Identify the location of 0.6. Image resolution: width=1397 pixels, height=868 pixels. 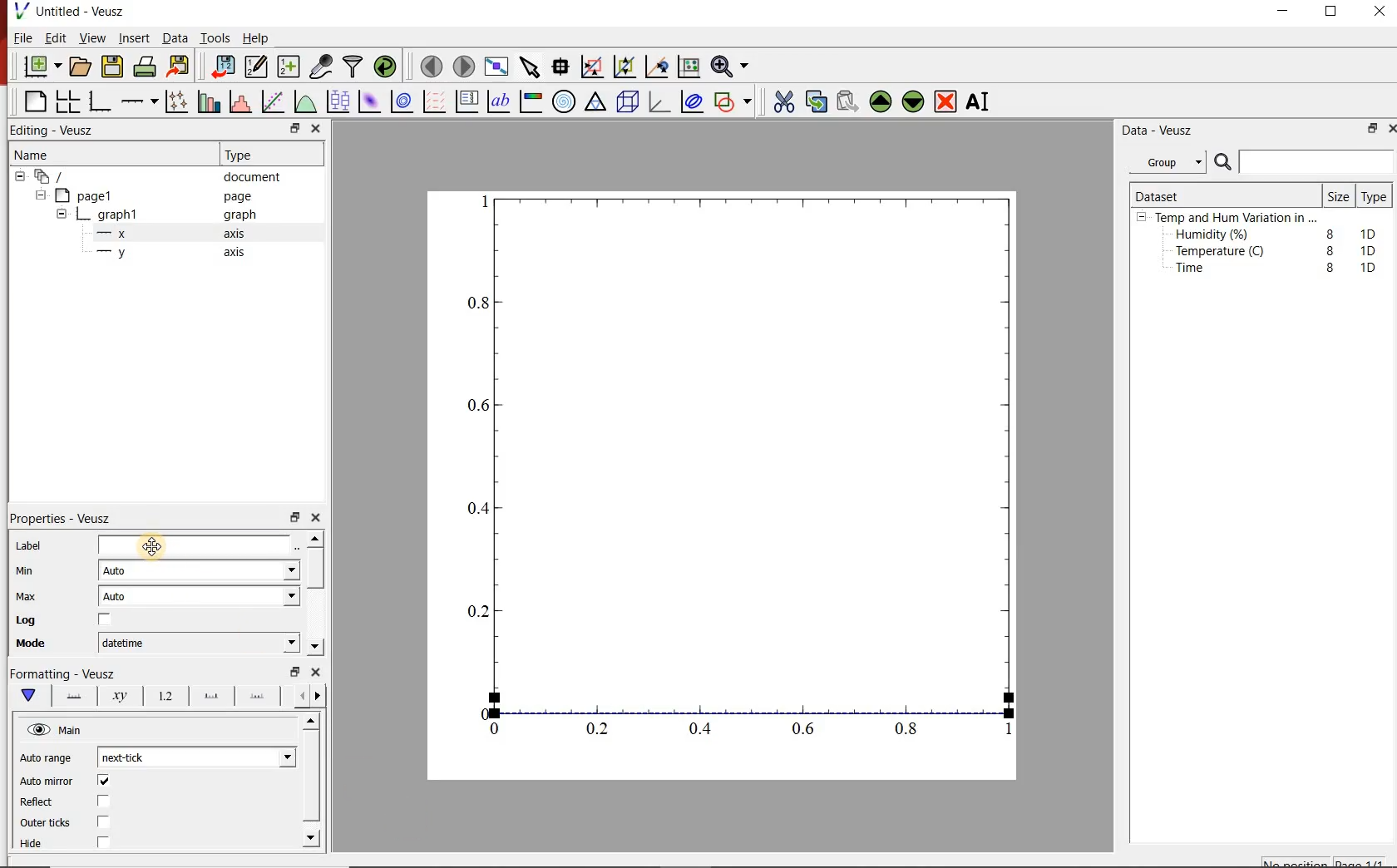
(477, 410).